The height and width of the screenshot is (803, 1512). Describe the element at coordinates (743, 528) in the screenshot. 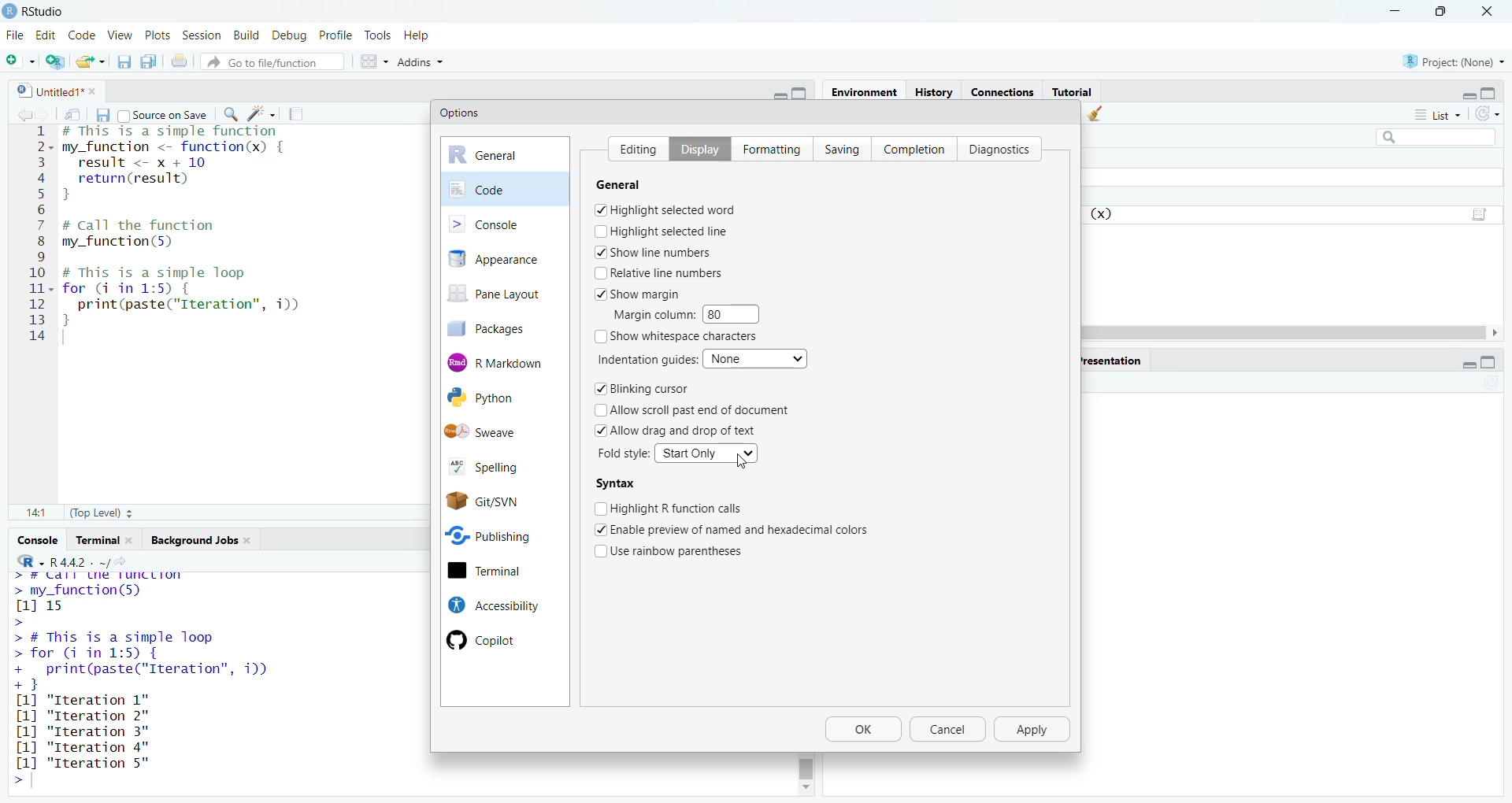

I see `enable preview of named and hexadecimal colors` at that location.